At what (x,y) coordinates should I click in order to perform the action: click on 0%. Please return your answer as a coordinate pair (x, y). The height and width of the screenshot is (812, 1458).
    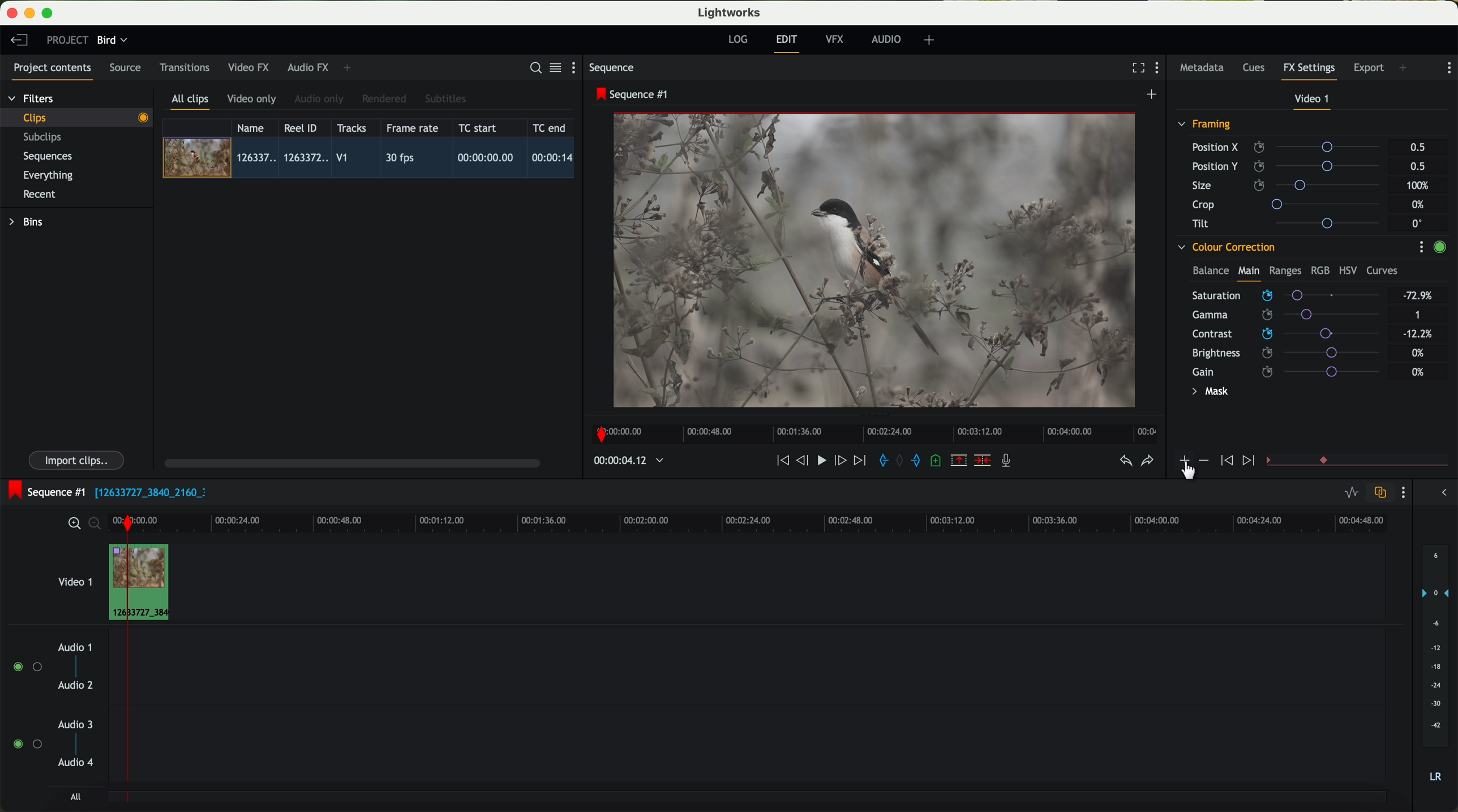
    Looking at the image, I should click on (1418, 351).